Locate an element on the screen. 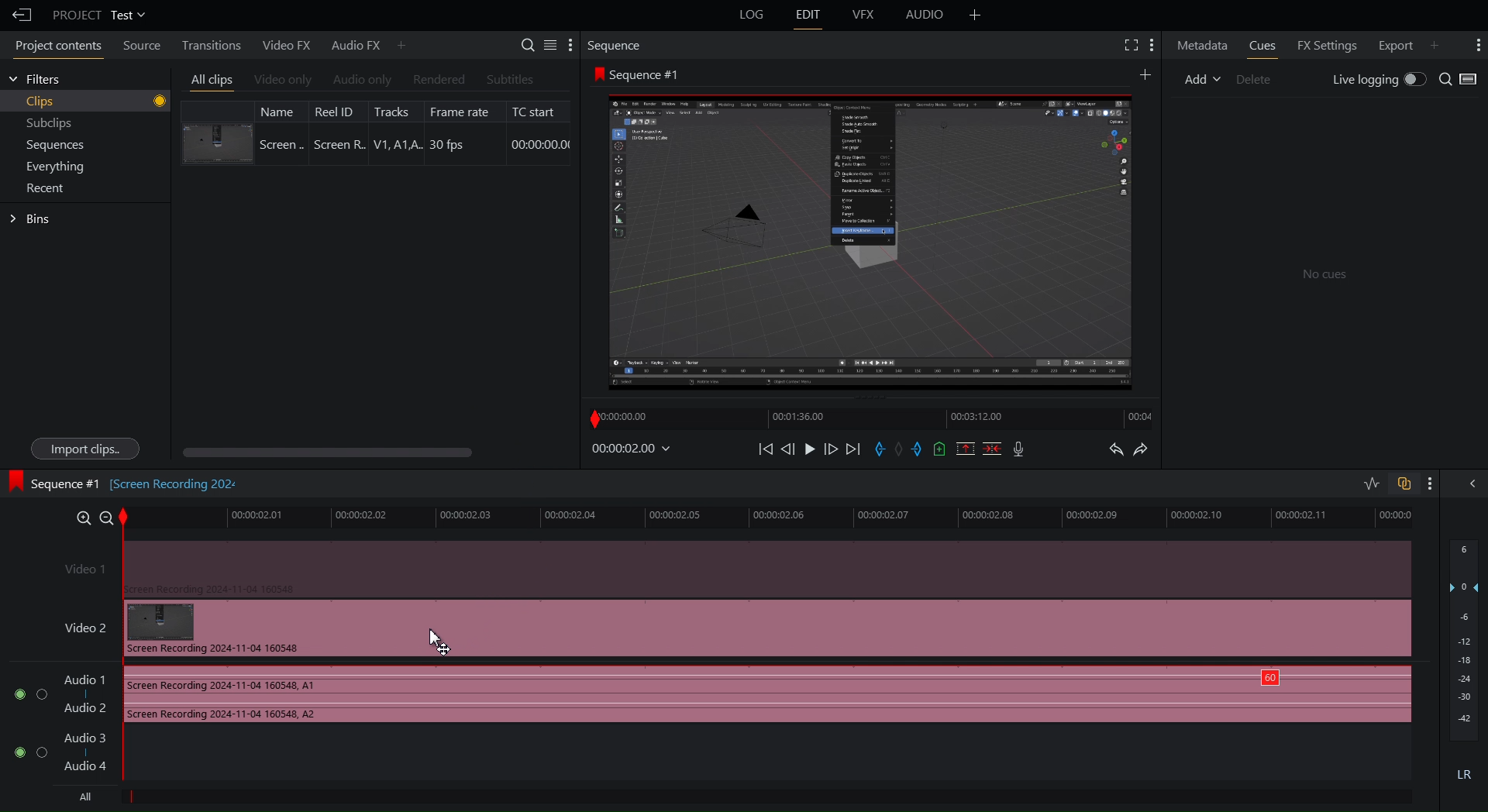 Image resolution: width=1488 pixels, height=812 pixels. Sequence #1 [Screen Recording 202 is located at coordinates (126, 481).